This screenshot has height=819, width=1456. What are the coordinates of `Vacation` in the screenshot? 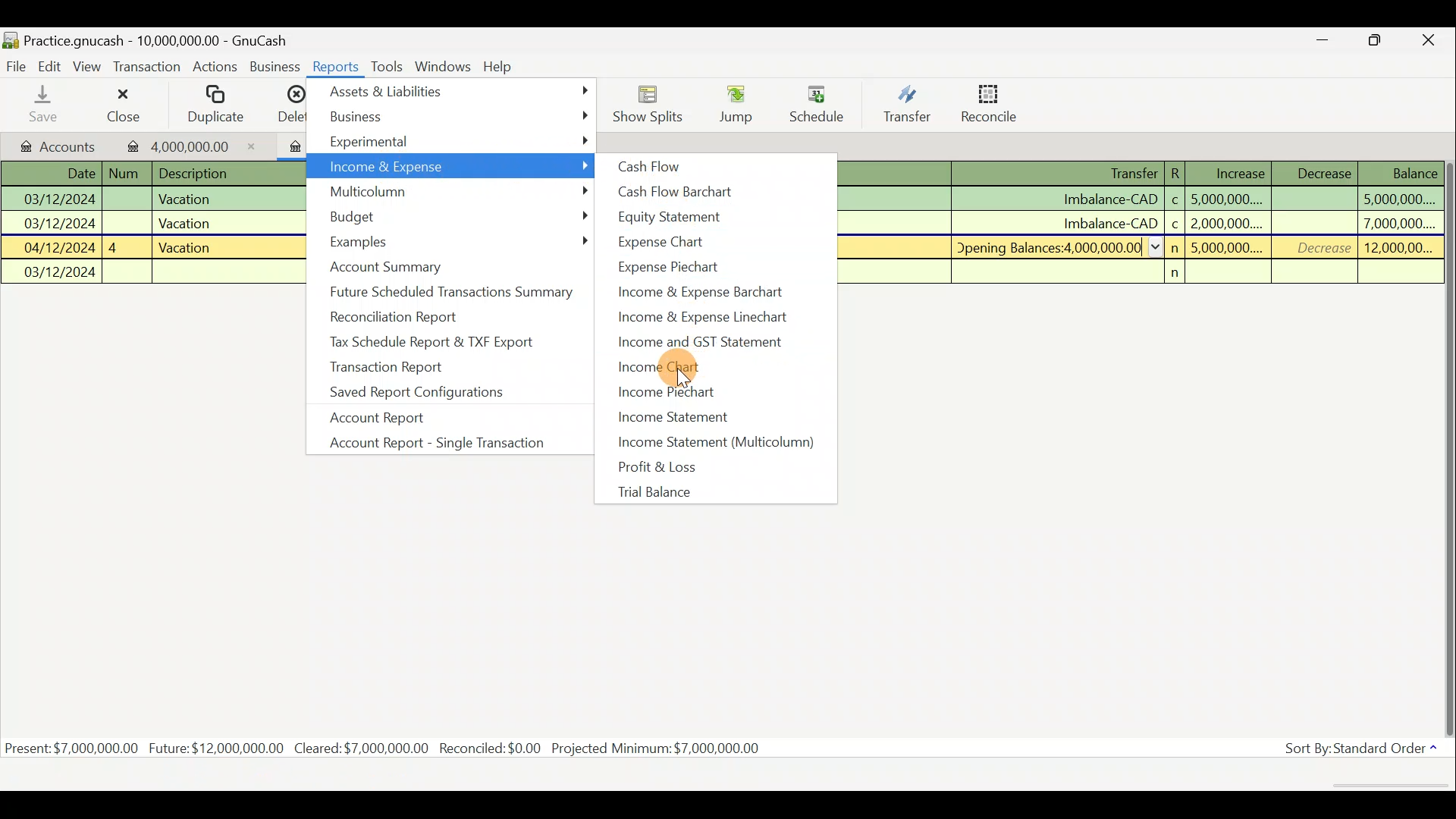 It's located at (184, 223).